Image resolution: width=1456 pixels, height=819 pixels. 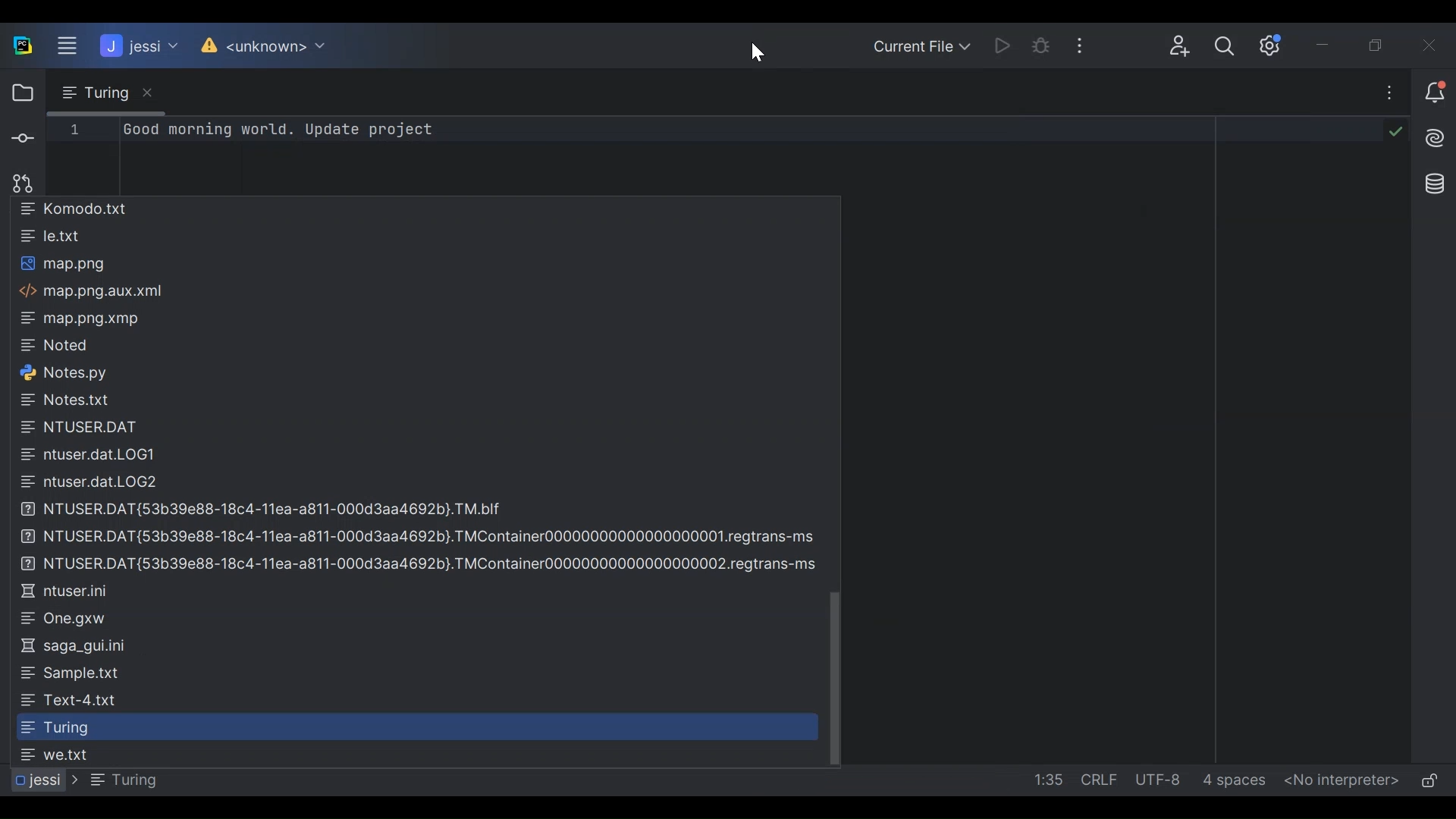 What do you see at coordinates (1236, 782) in the screenshot?
I see `4 spaces` at bounding box center [1236, 782].